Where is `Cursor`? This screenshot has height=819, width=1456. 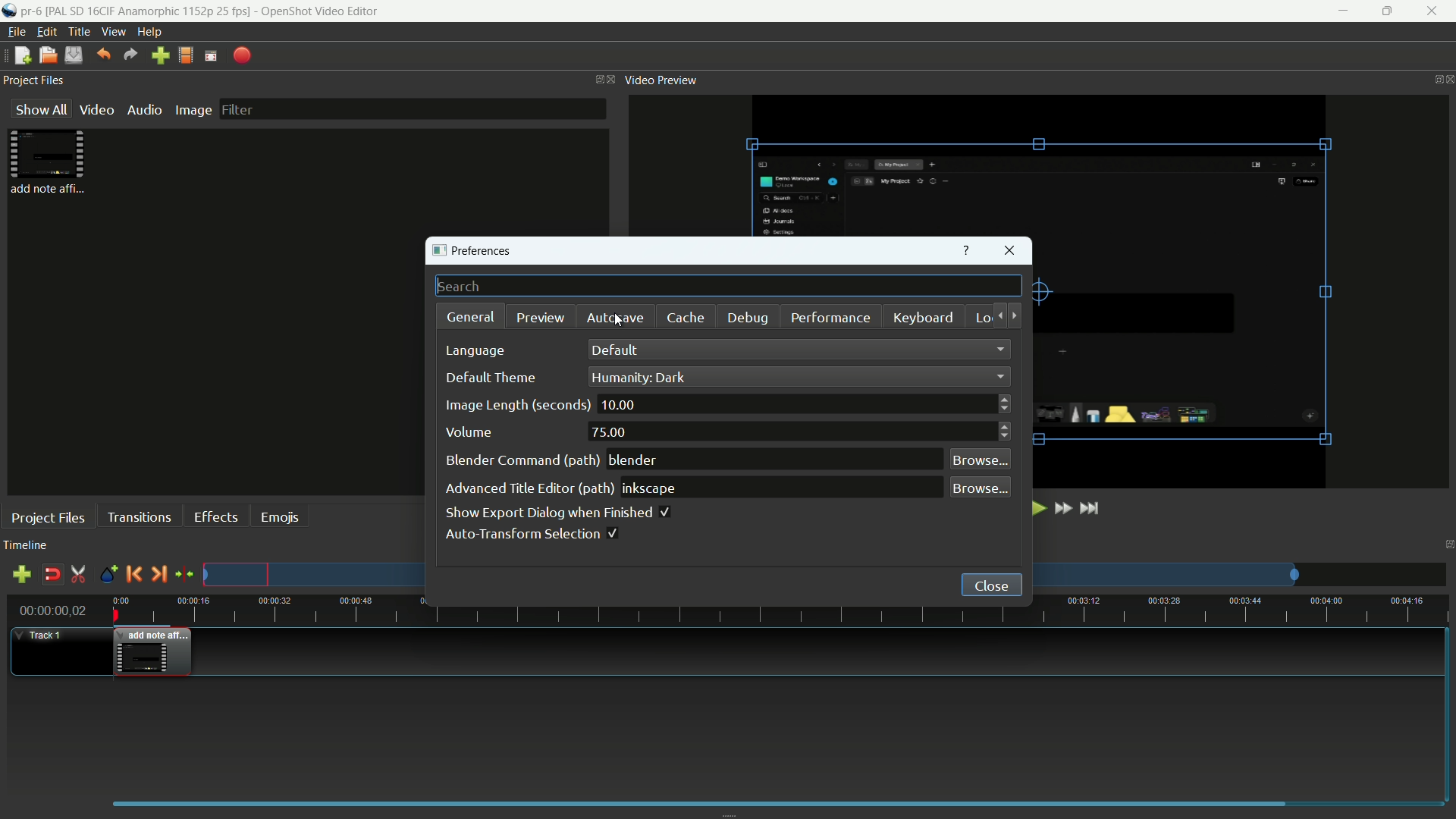
Cursor is located at coordinates (619, 322).